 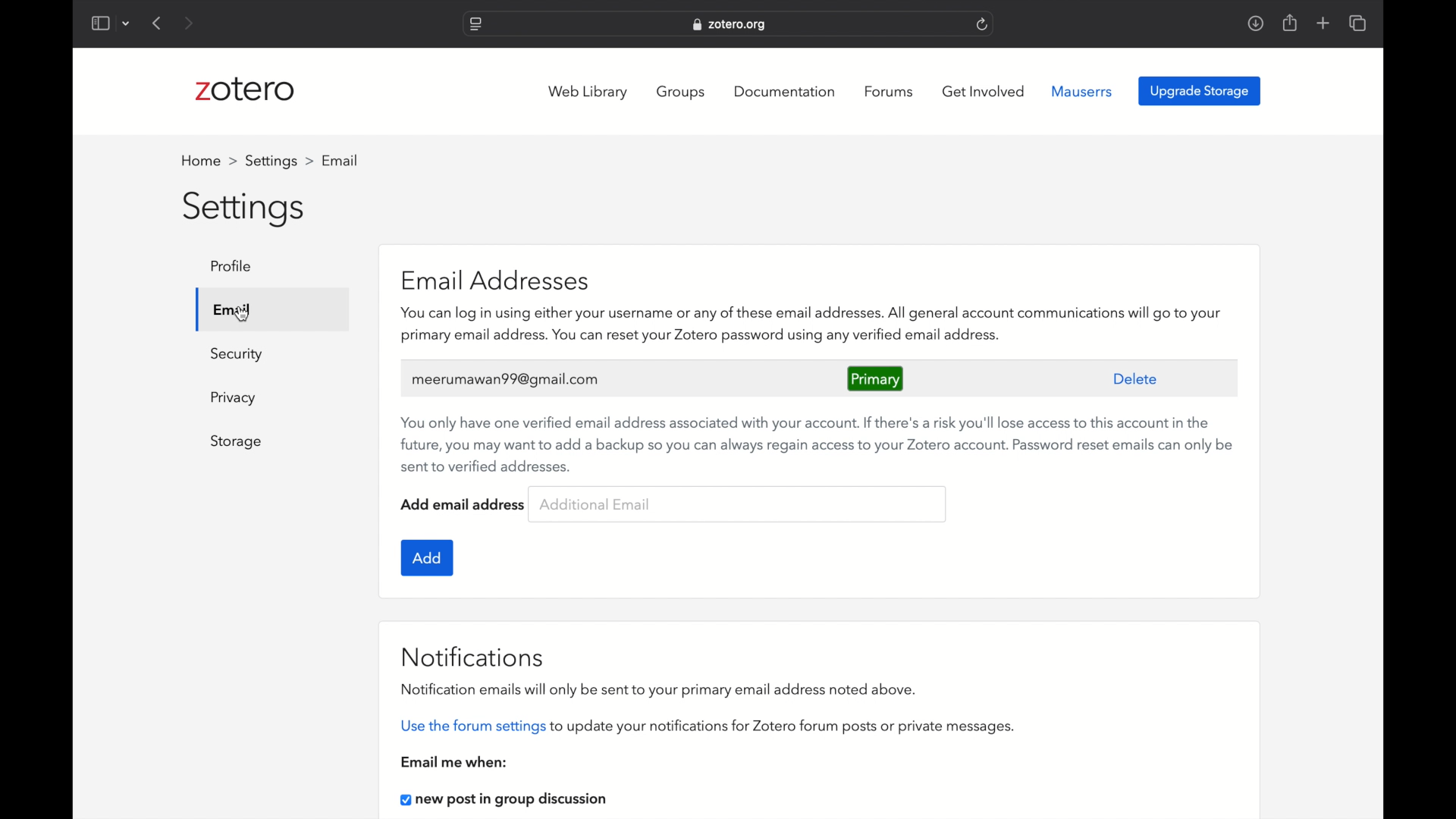 What do you see at coordinates (504, 801) in the screenshot?
I see `new post in group discussion` at bounding box center [504, 801].